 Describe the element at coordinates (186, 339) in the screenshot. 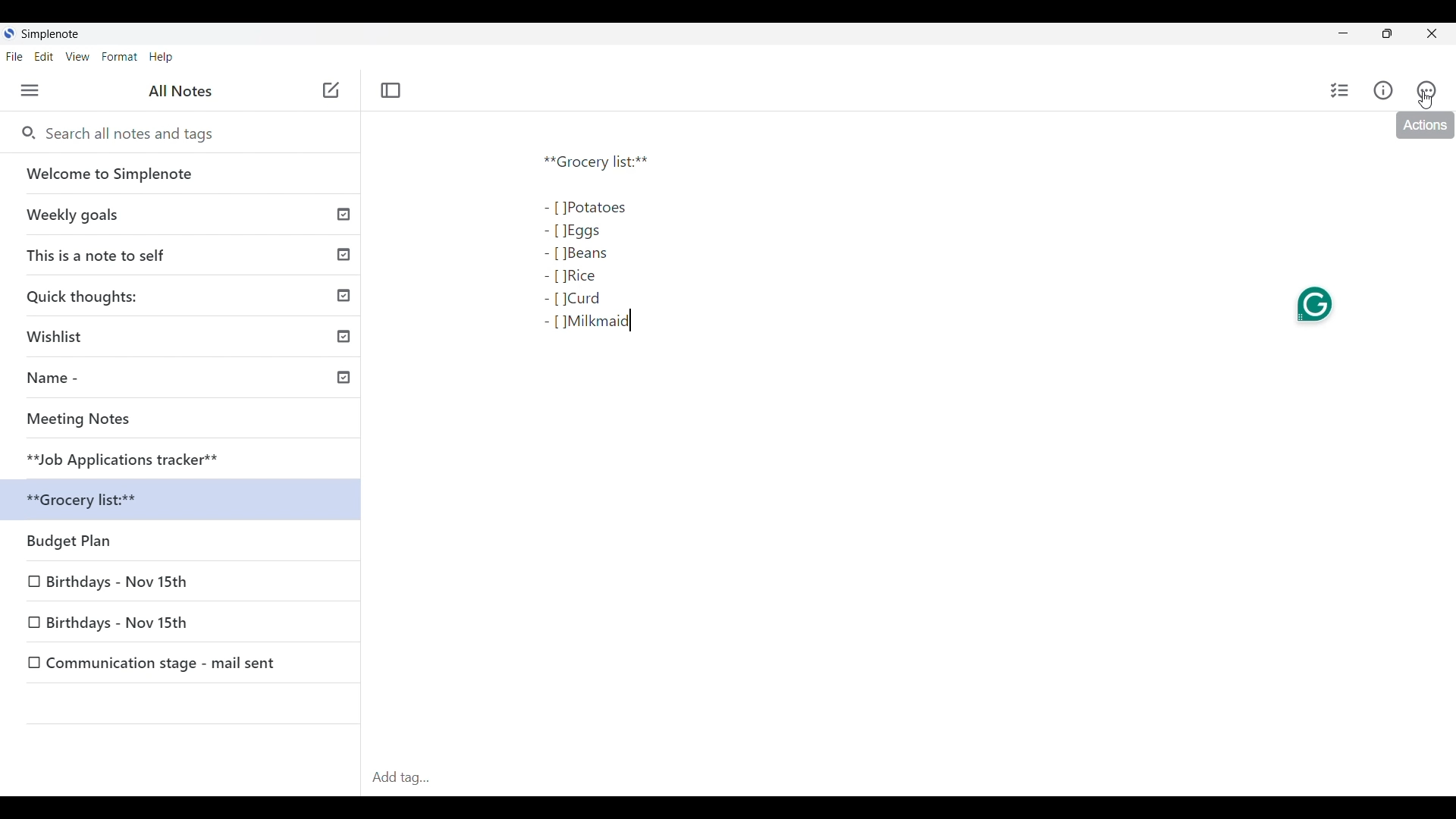

I see `Wishlist` at that location.